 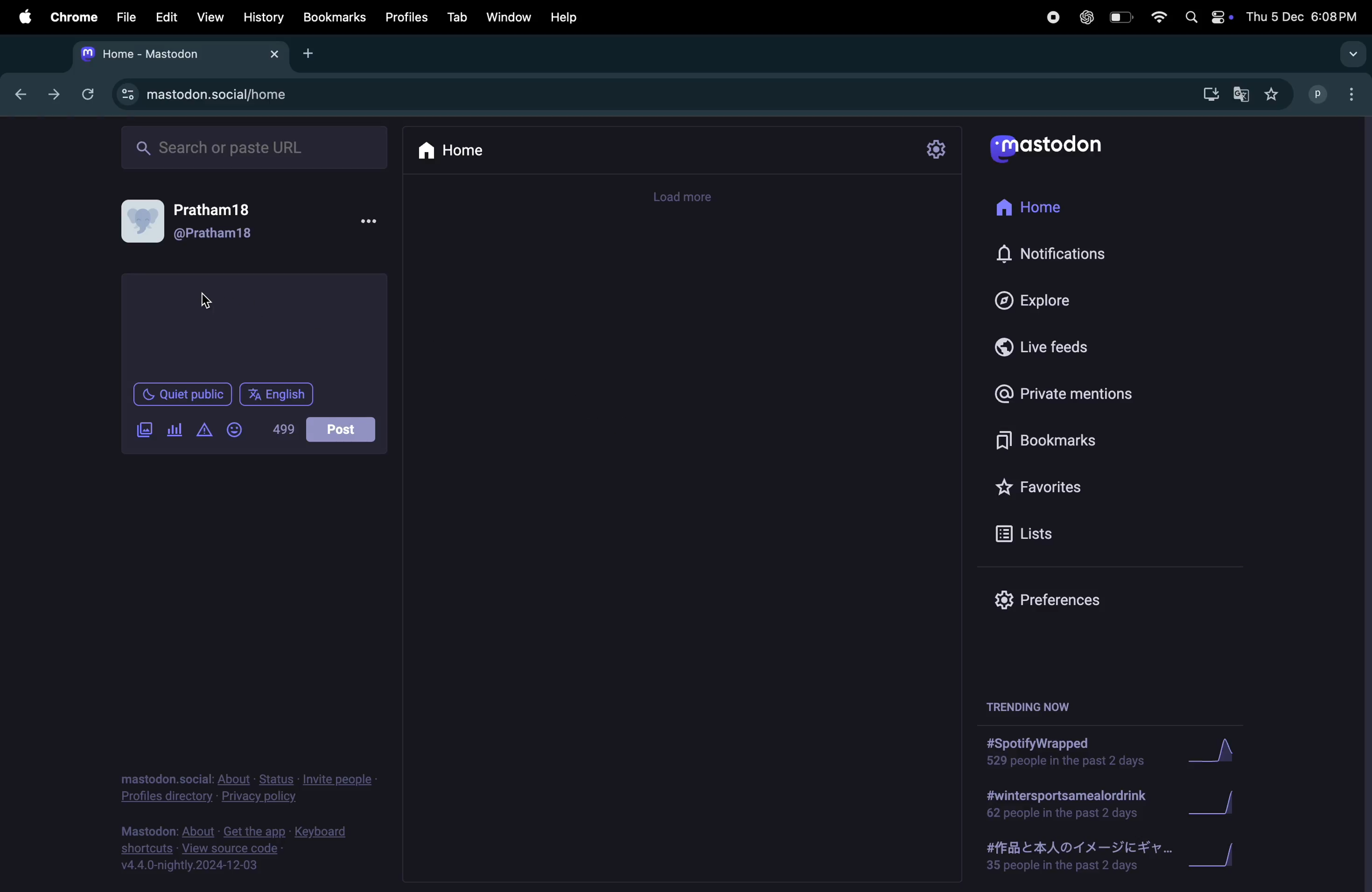 I want to click on tab, so click(x=455, y=18).